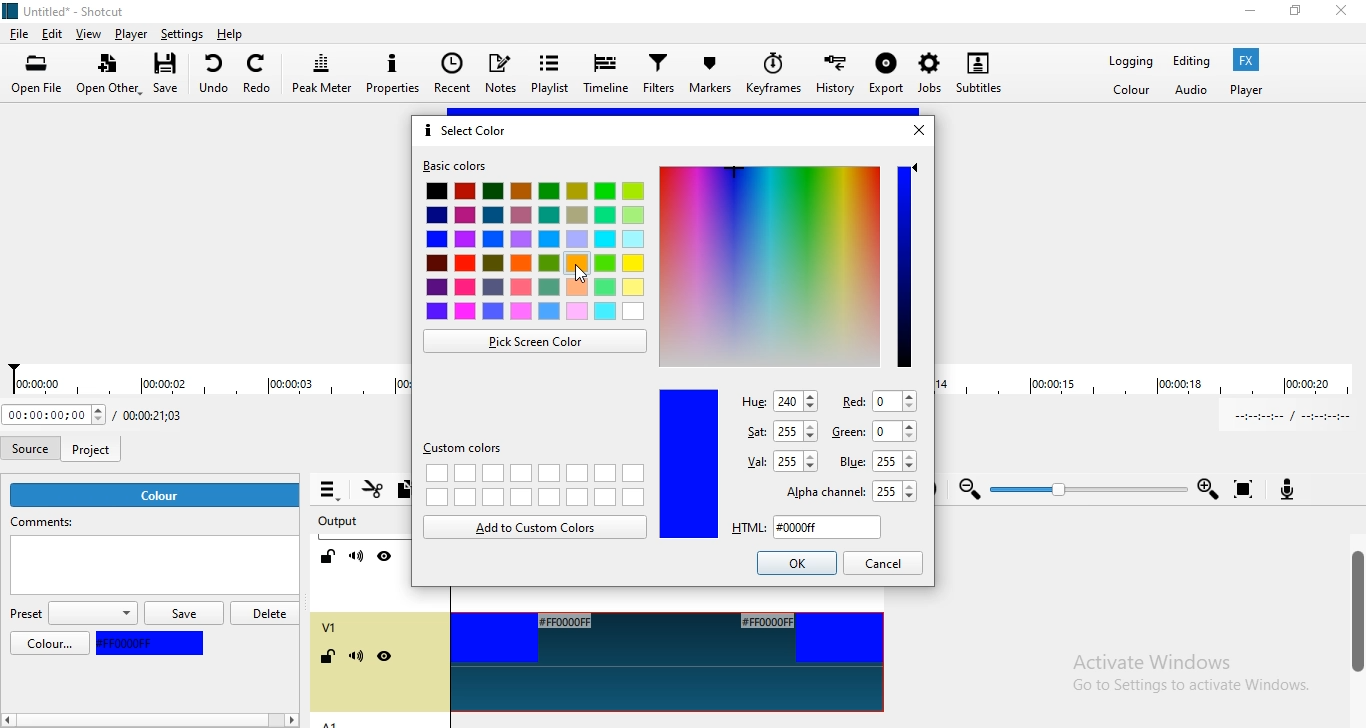 This screenshot has height=728, width=1366. I want to click on cancel, so click(885, 563).